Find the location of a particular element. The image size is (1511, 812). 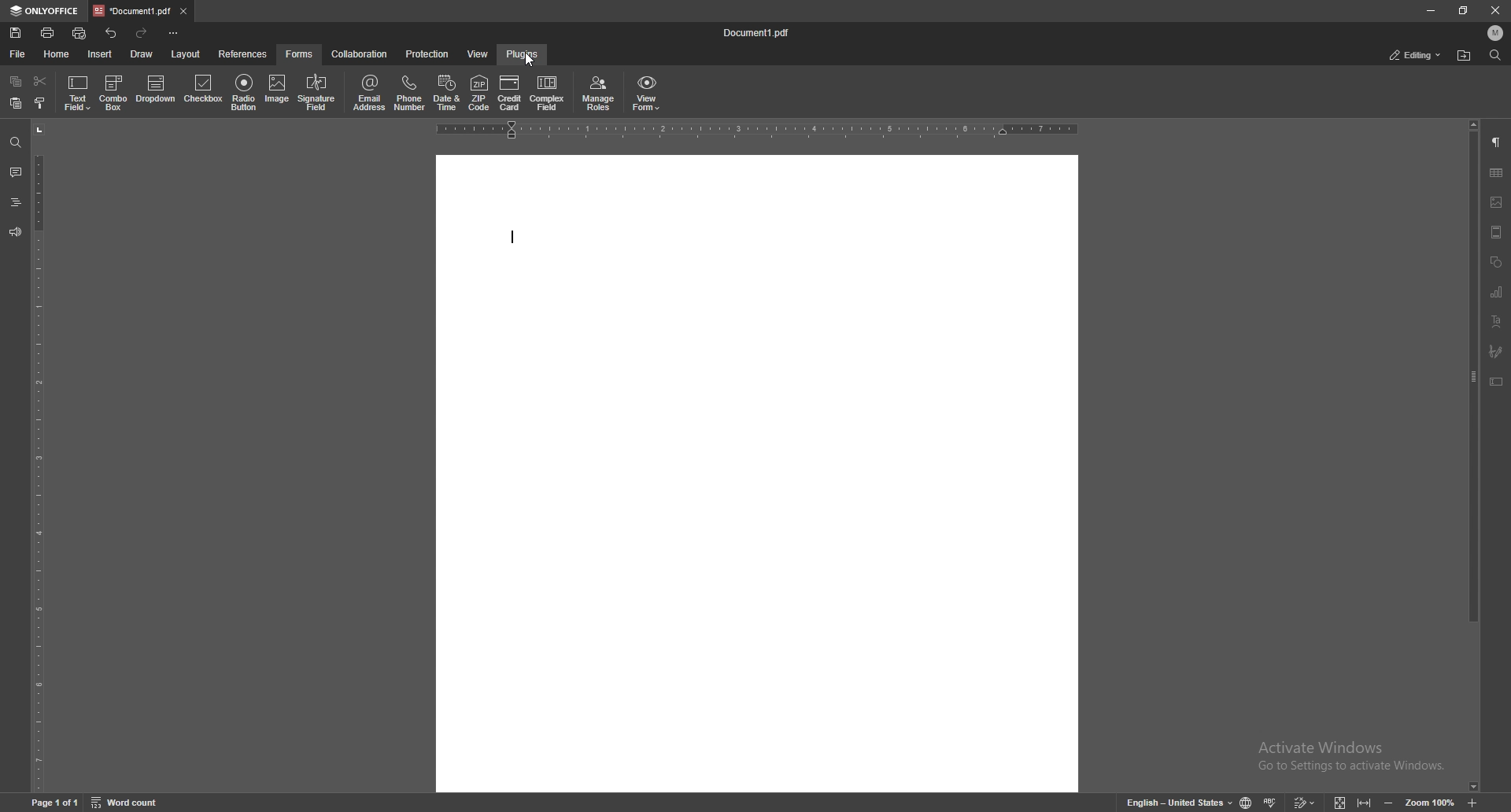

manage roles is located at coordinates (600, 94).